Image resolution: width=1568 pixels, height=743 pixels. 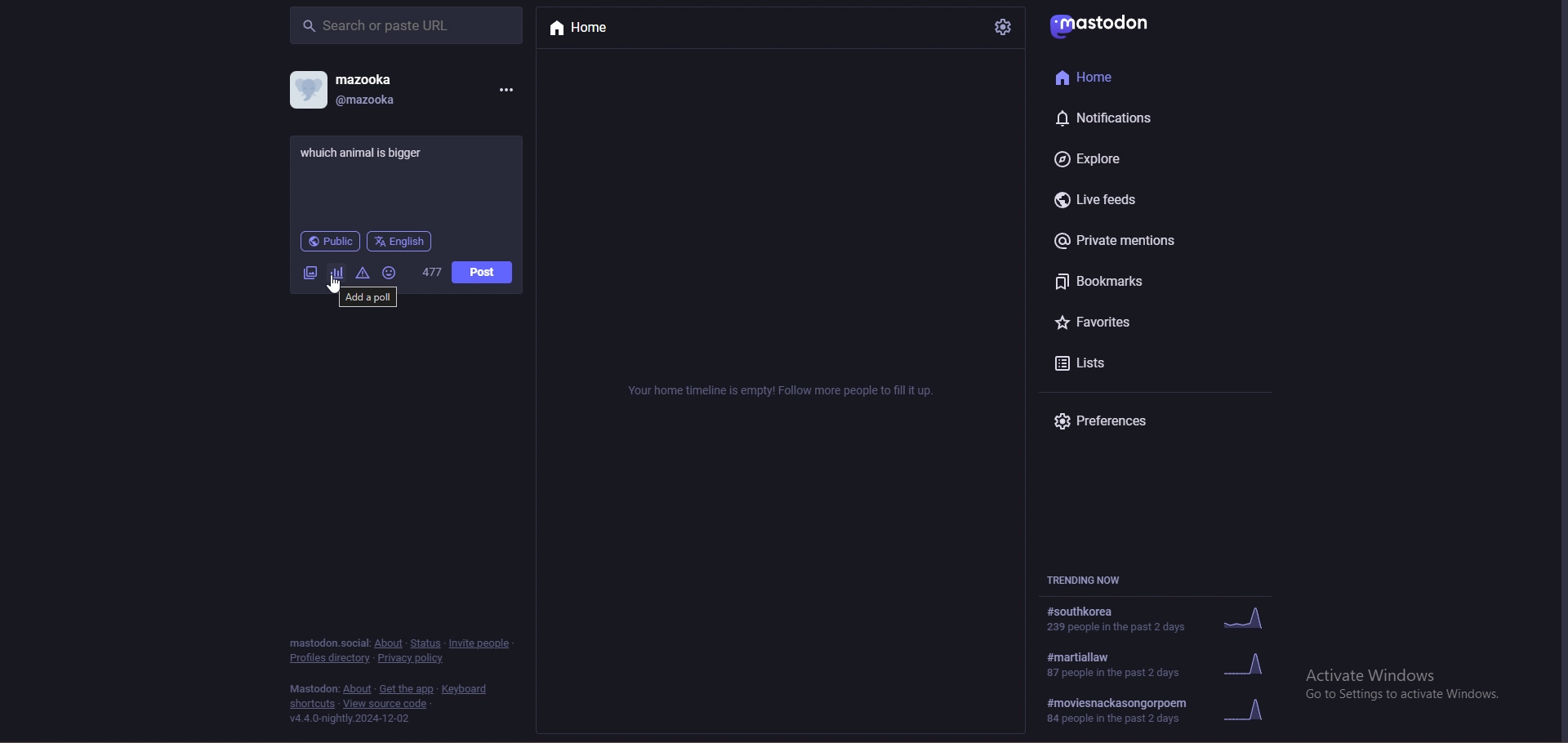 What do you see at coordinates (1126, 281) in the screenshot?
I see `bookmarks` at bounding box center [1126, 281].